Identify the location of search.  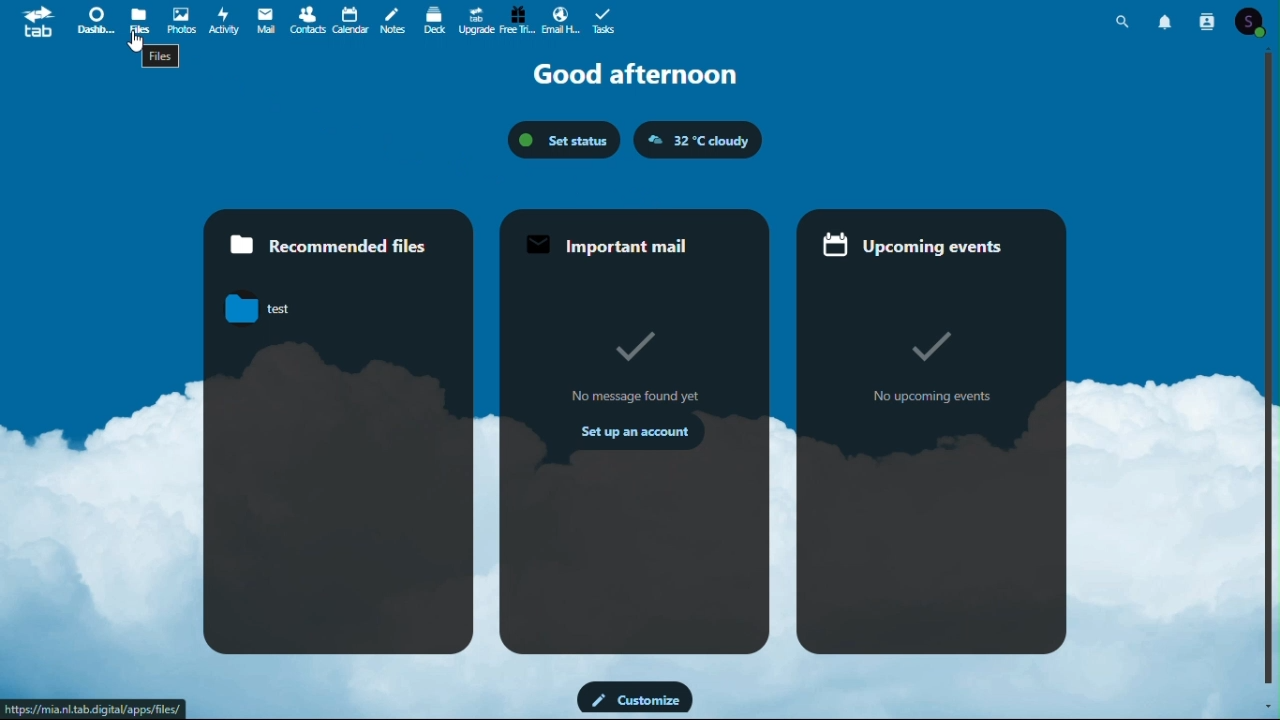
(1123, 23).